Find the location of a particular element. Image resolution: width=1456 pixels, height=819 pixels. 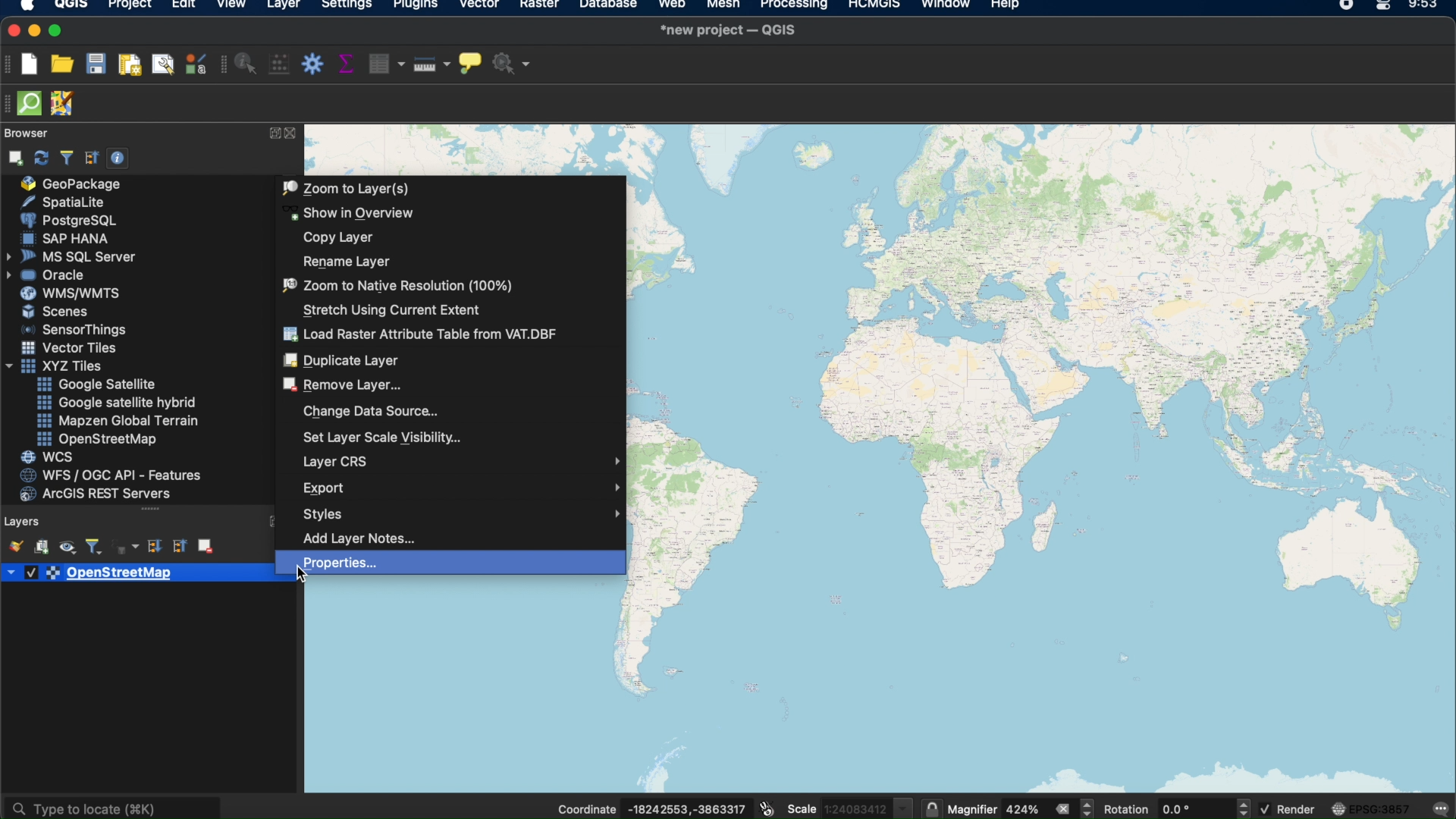

zoom to layer (s) is located at coordinates (348, 187).